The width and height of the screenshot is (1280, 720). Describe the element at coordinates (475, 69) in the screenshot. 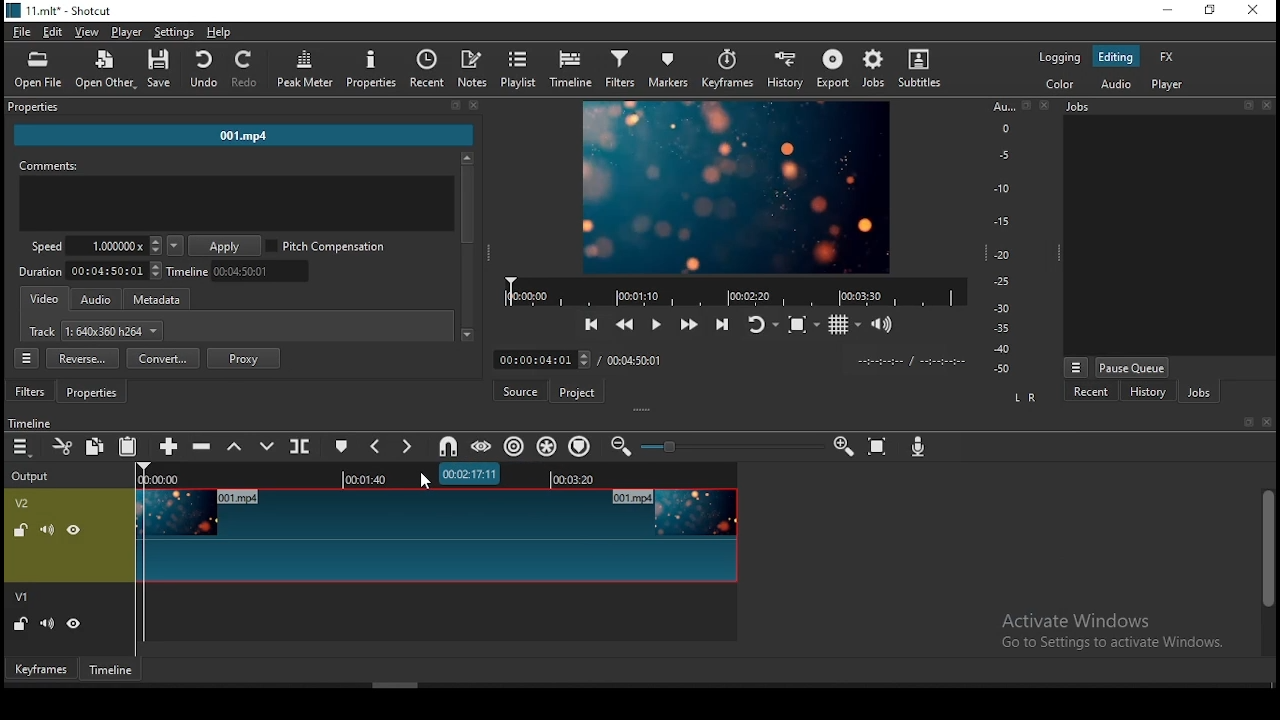

I see `notes` at that location.